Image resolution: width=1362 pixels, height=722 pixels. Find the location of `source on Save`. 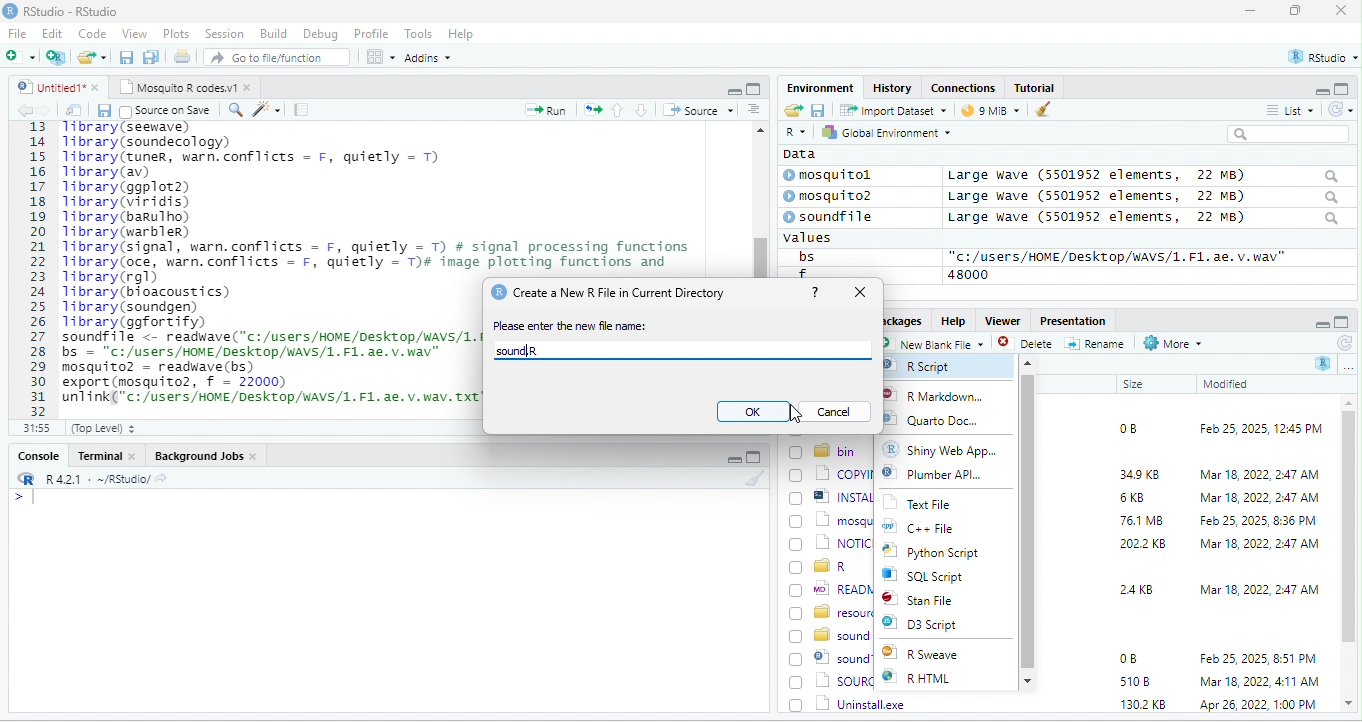

source on Save is located at coordinates (167, 112).